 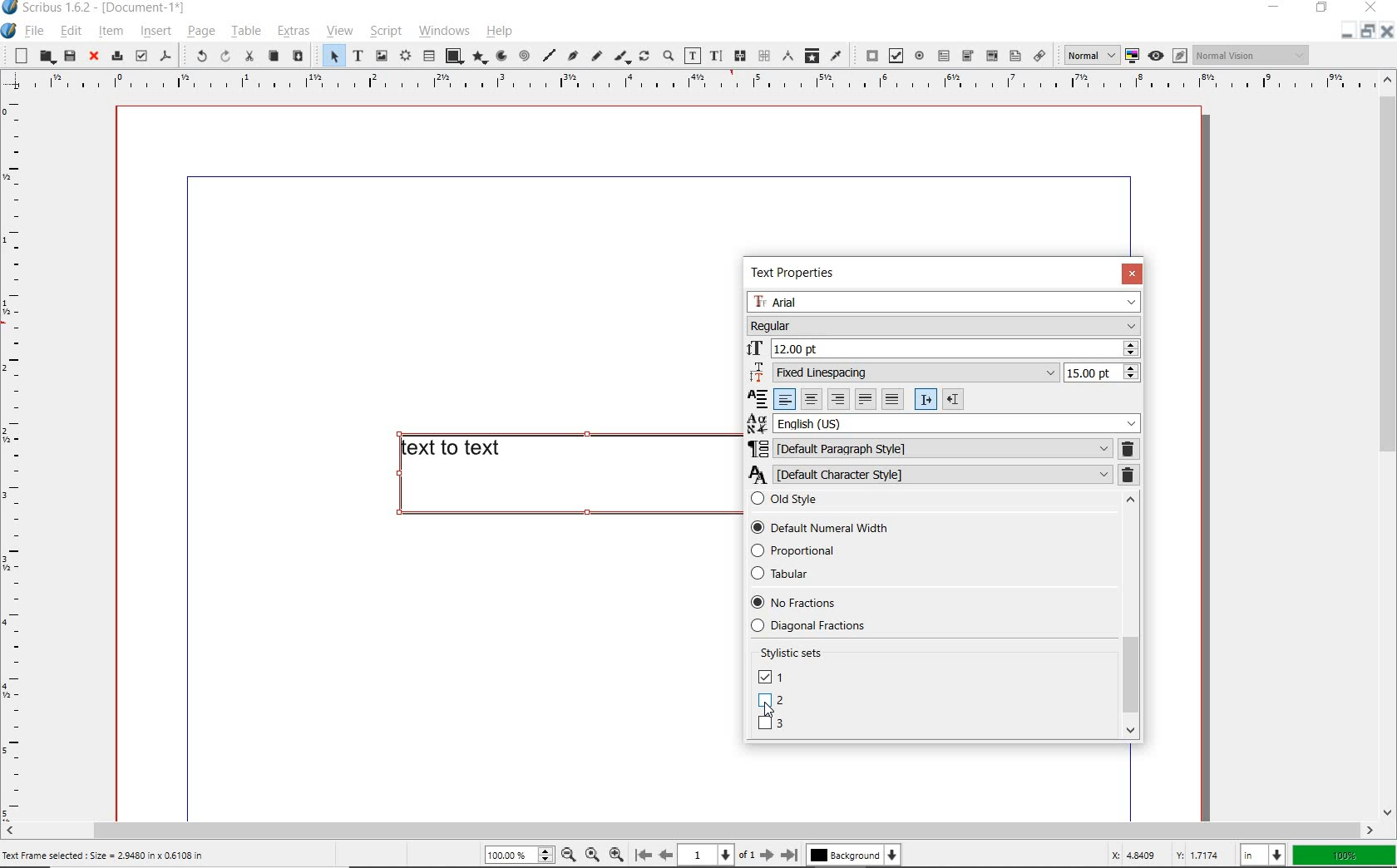 I want to click on Background, so click(x=855, y=856).